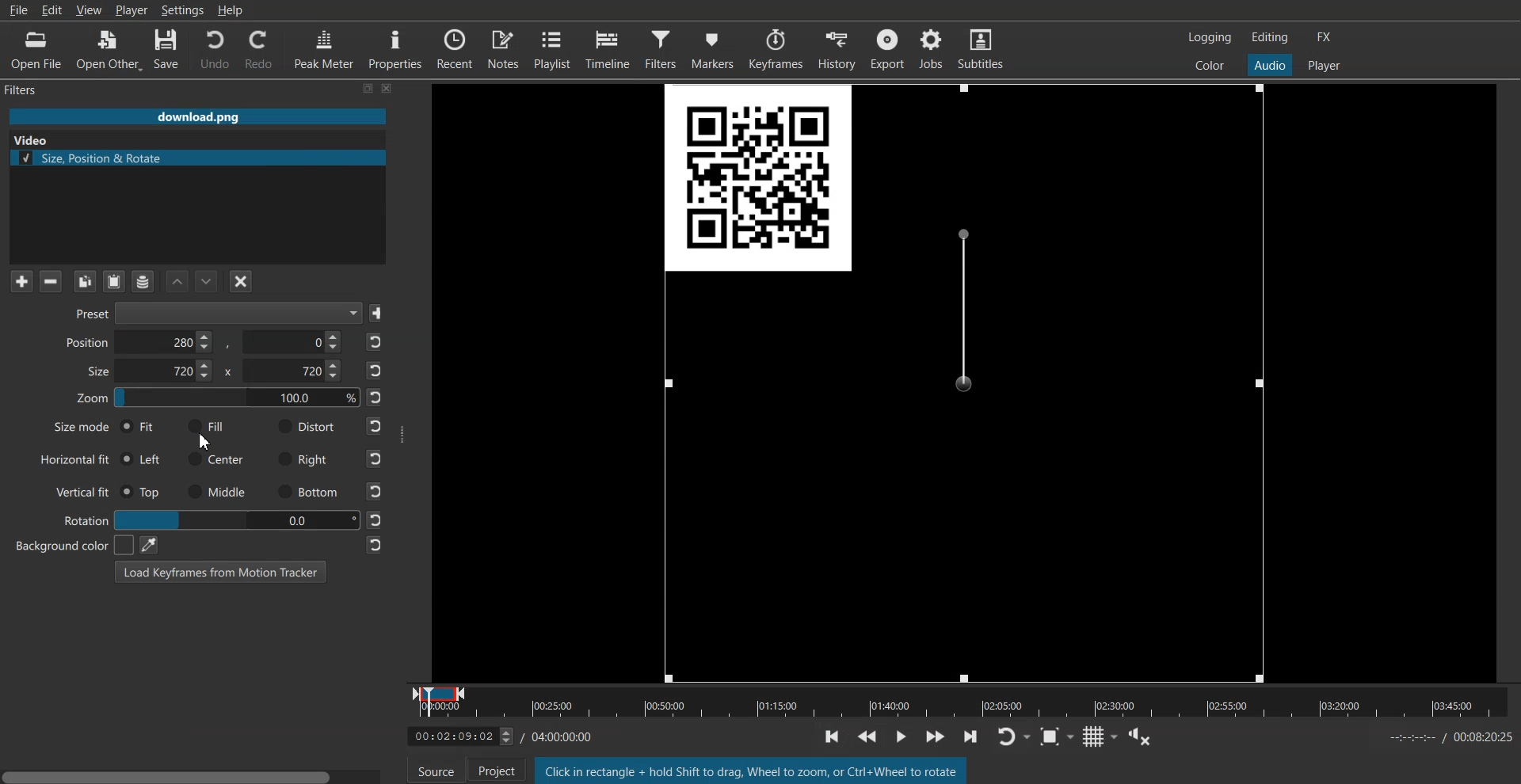 This screenshot has width=1521, height=784. Describe the element at coordinates (777, 48) in the screenshot. I see `Keyframes` at that location.